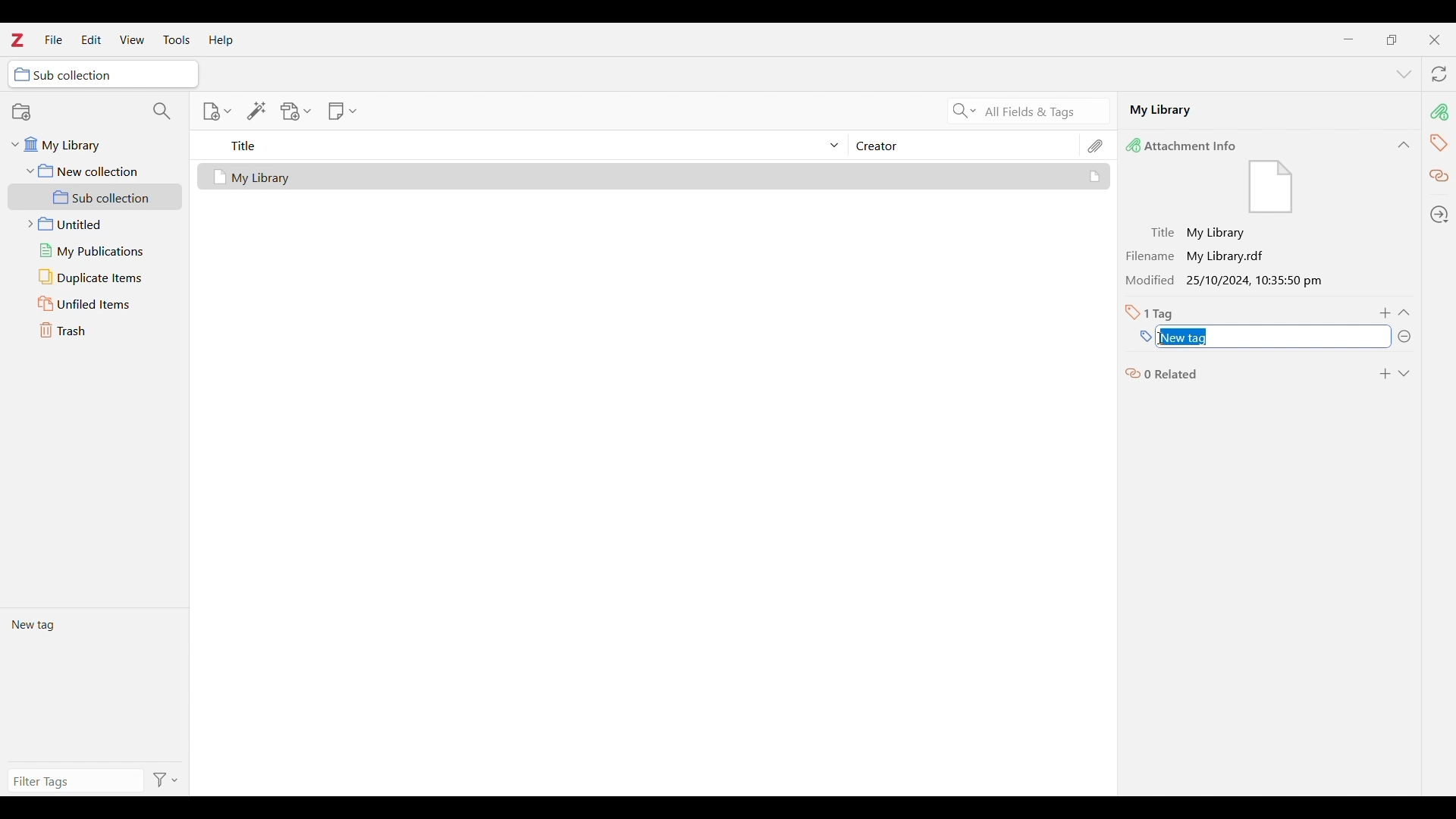  Describe the element at coordinates (1200, 256) in the screenshot. I see `Filename My Library.radt` at that location.